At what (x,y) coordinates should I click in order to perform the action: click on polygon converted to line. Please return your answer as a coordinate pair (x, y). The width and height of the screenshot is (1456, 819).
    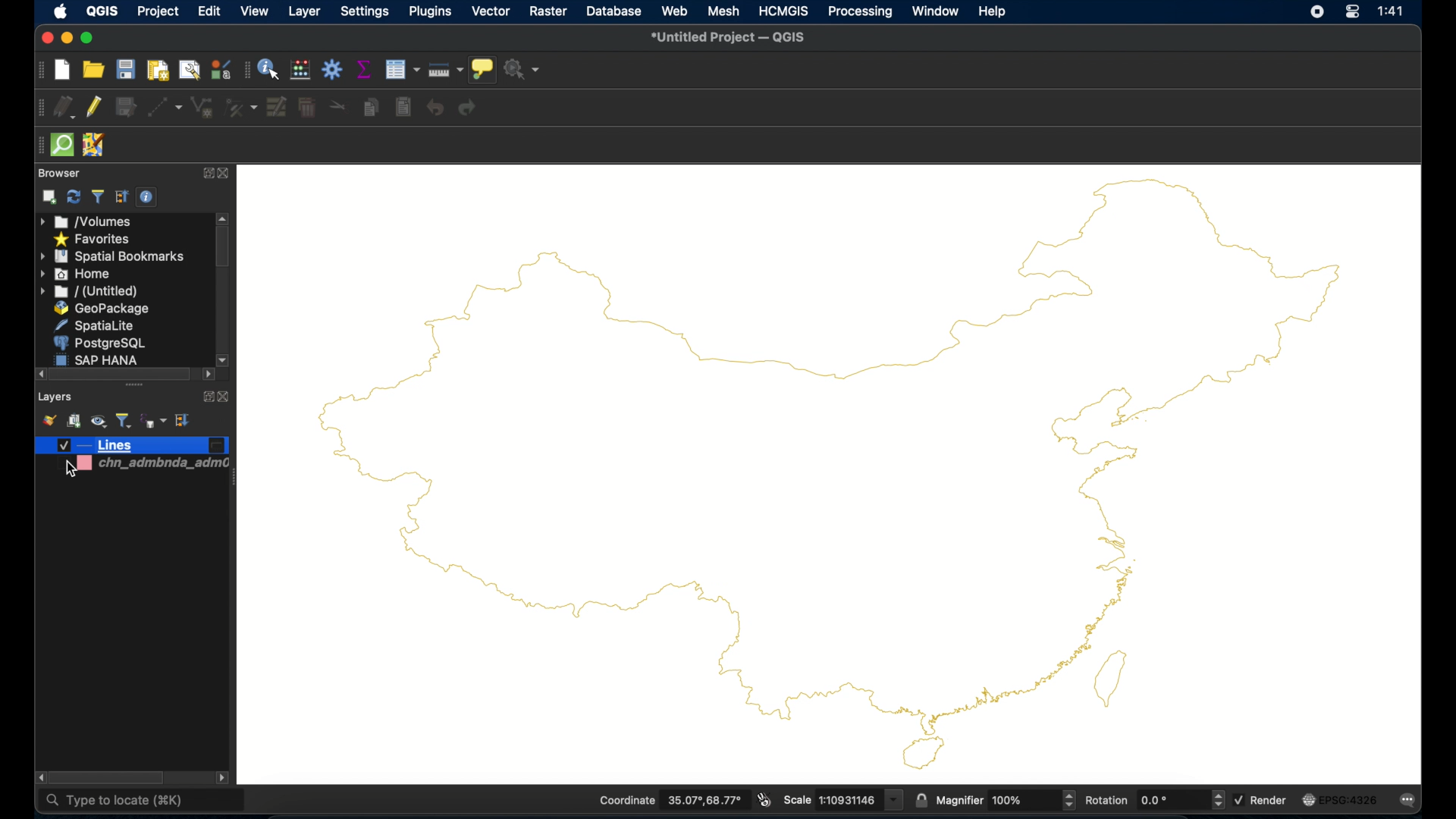
    Looking at the image, I should click on (829, 473).